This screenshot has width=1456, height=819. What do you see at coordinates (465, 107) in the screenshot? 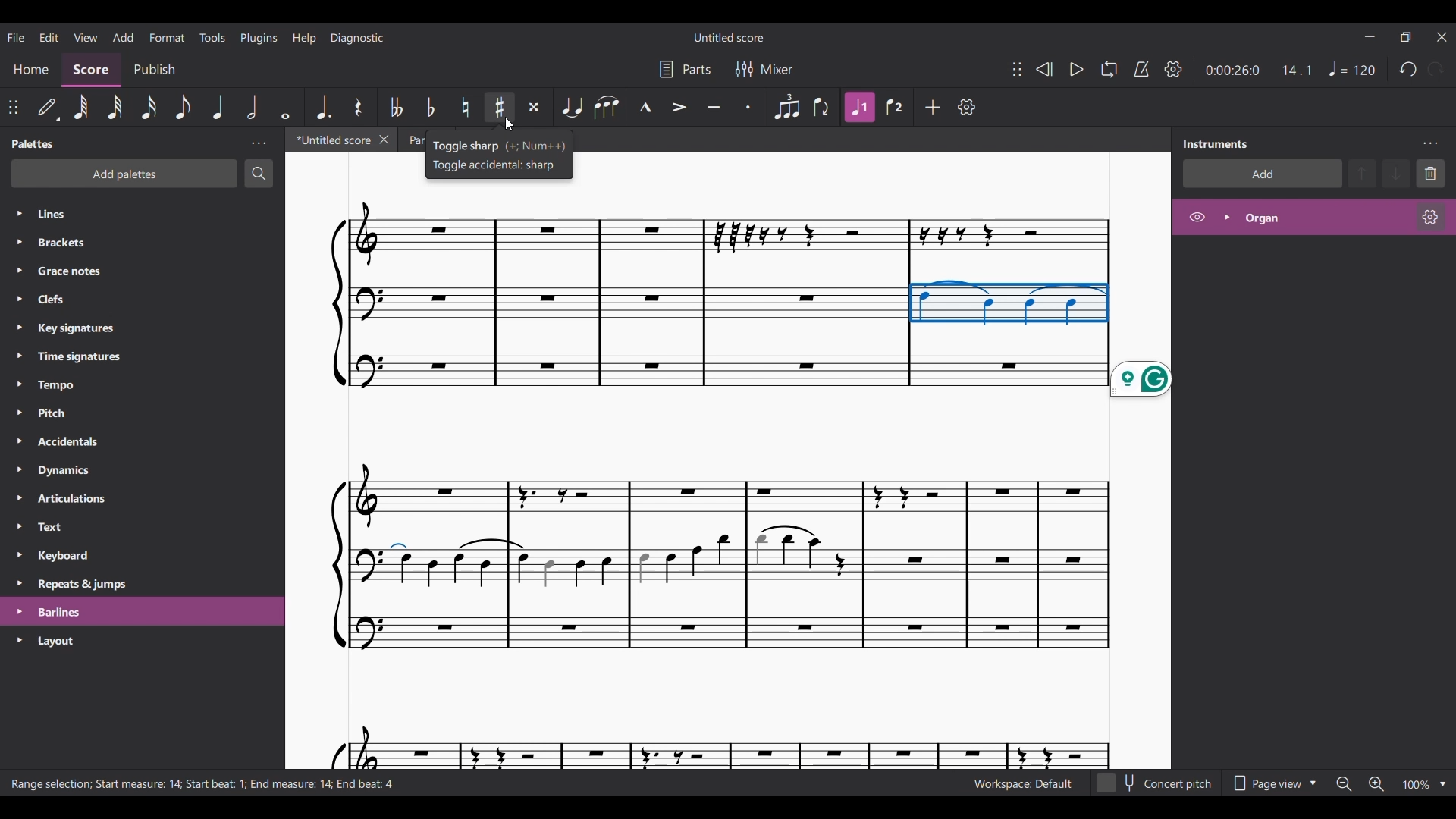
I see `Toggle natural` at bounding box center [465, 107].